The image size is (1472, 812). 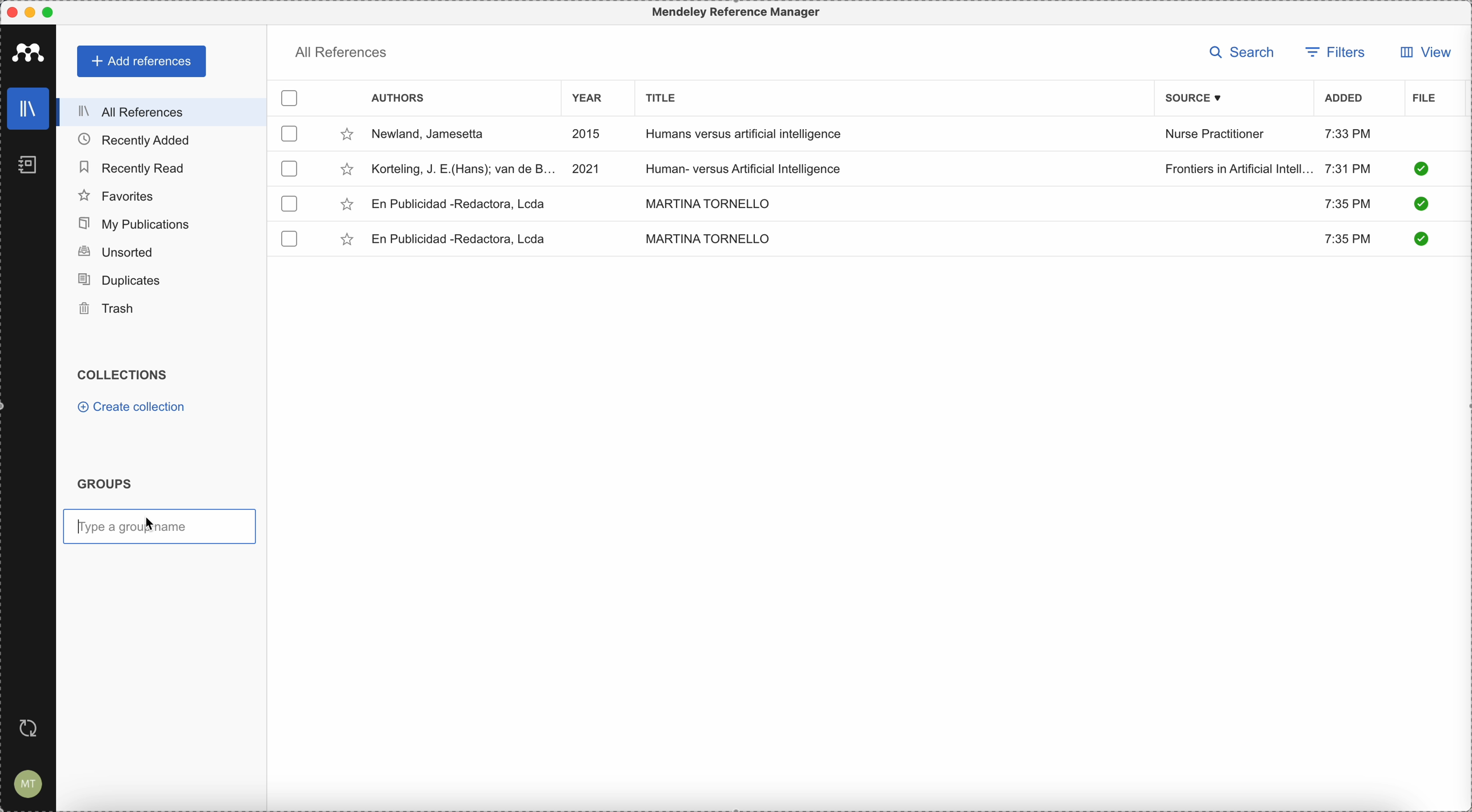 I want to click on my publications, so click(x=135, y=224).